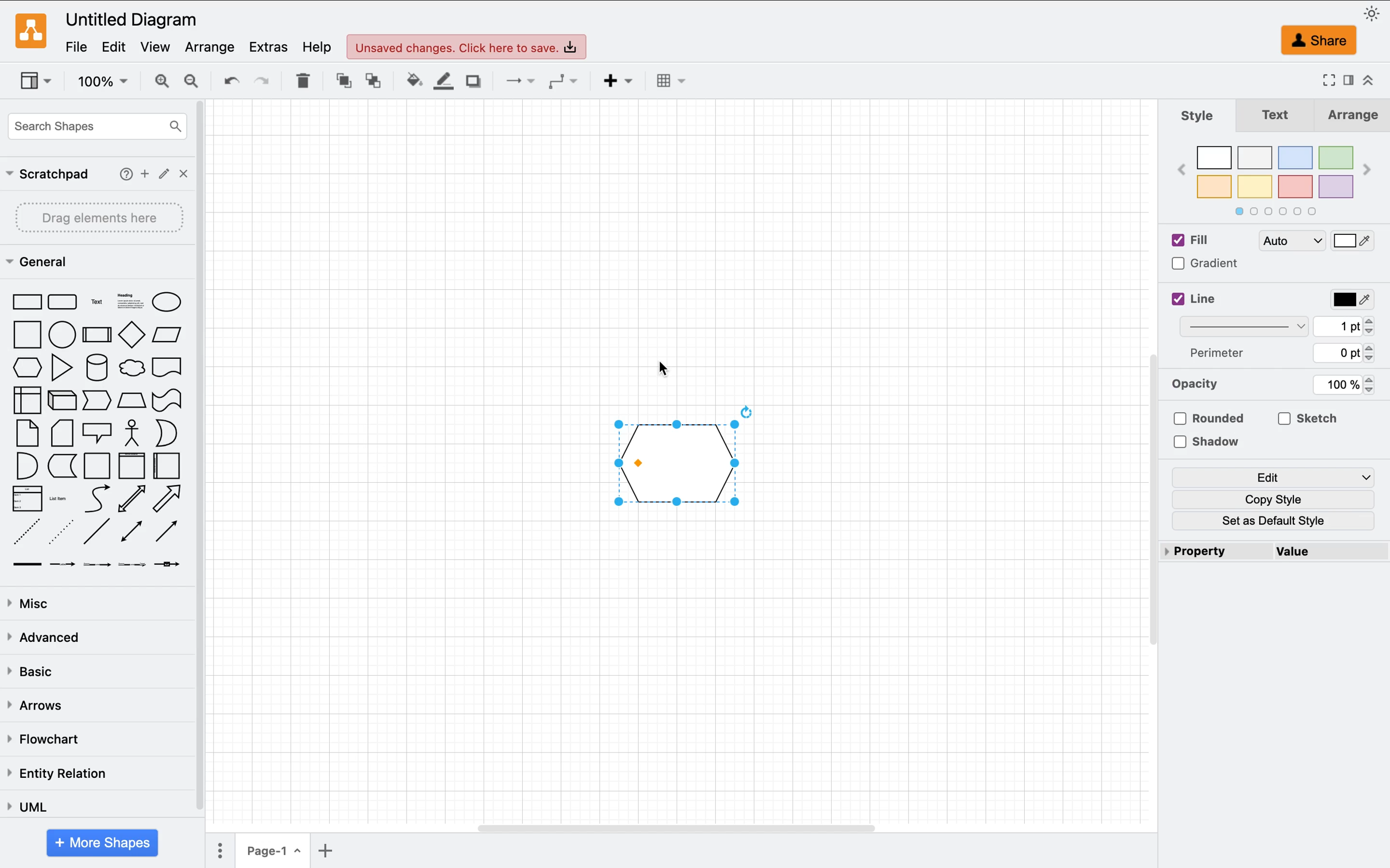 The image size is (1390, 868). Describe the element at coordinates (40, 671) in the screenshot. I see `basic` at that location.